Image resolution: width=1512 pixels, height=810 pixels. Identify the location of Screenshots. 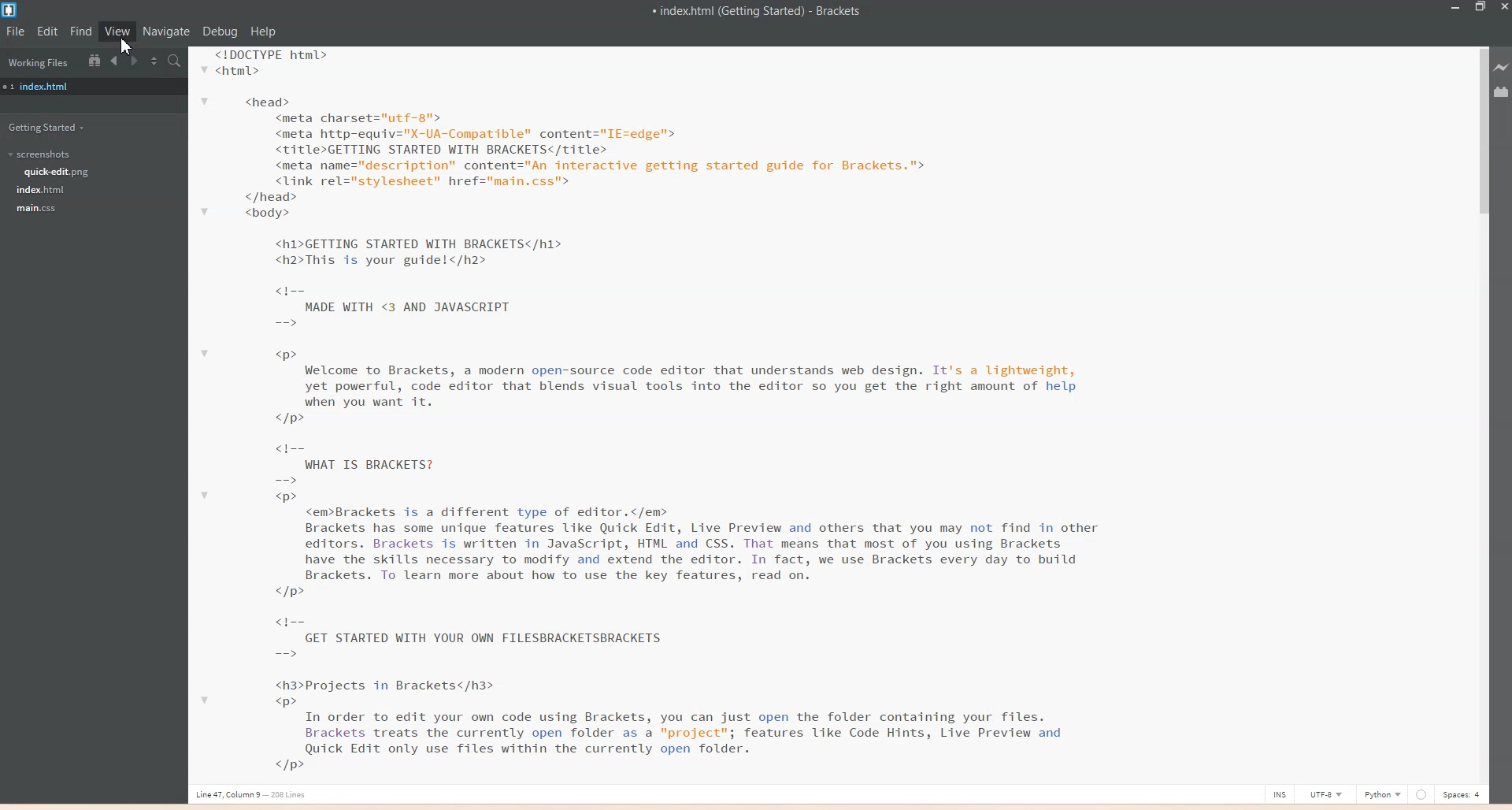
(40, 154).